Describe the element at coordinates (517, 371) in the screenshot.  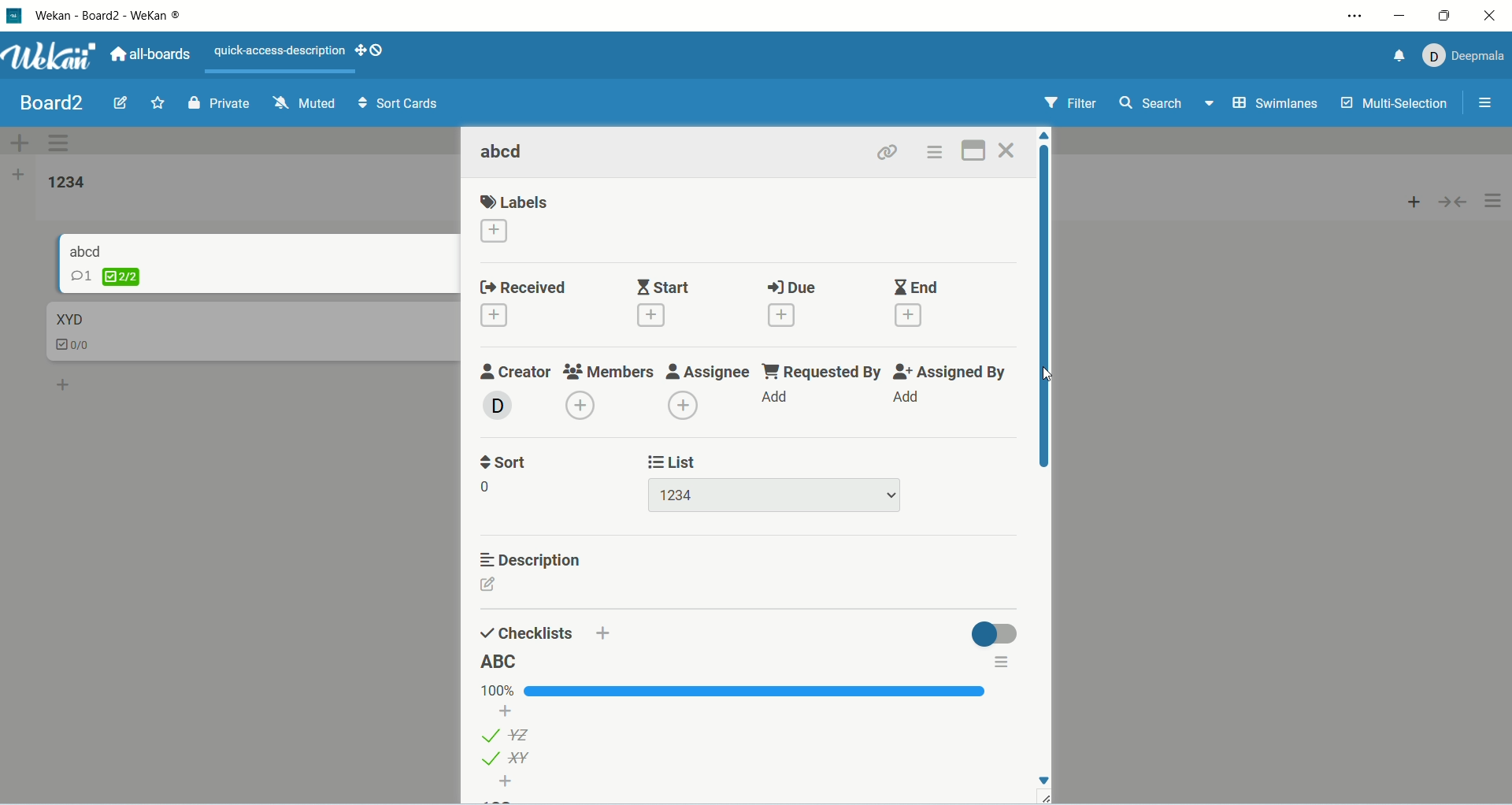
I see `creator` at that location.